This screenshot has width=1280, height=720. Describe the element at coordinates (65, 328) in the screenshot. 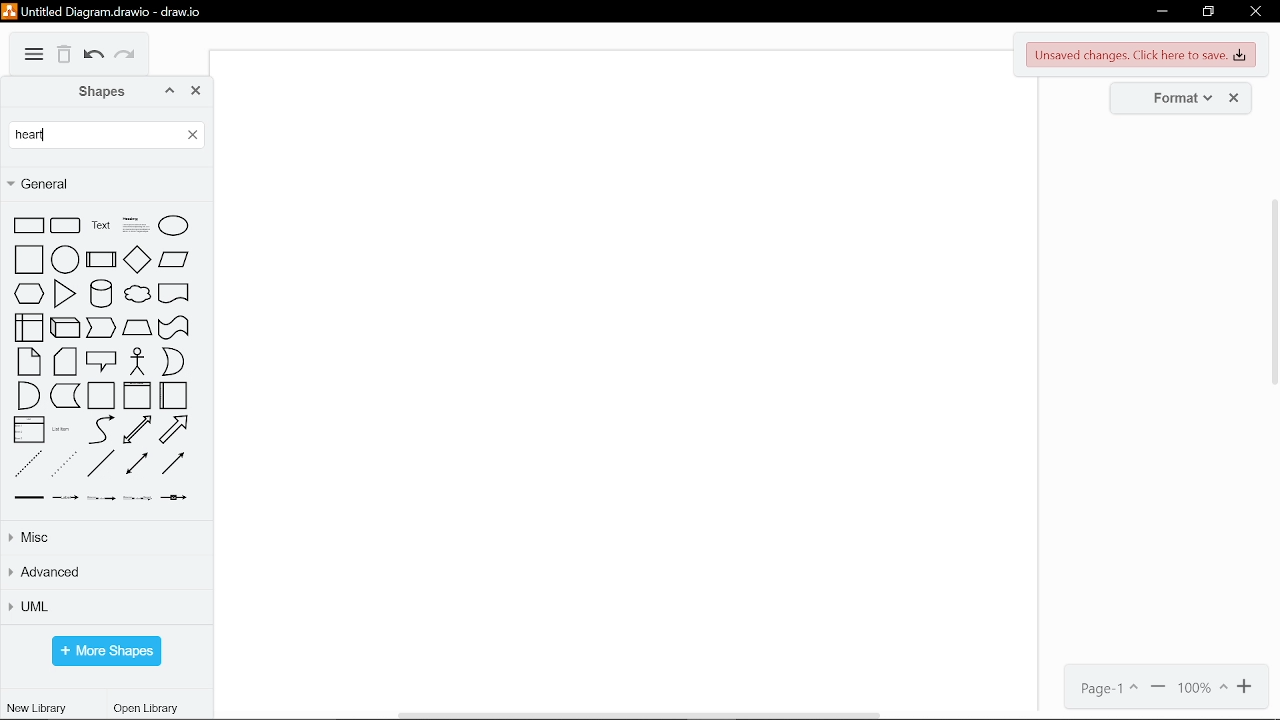

I see `cube` at that location.